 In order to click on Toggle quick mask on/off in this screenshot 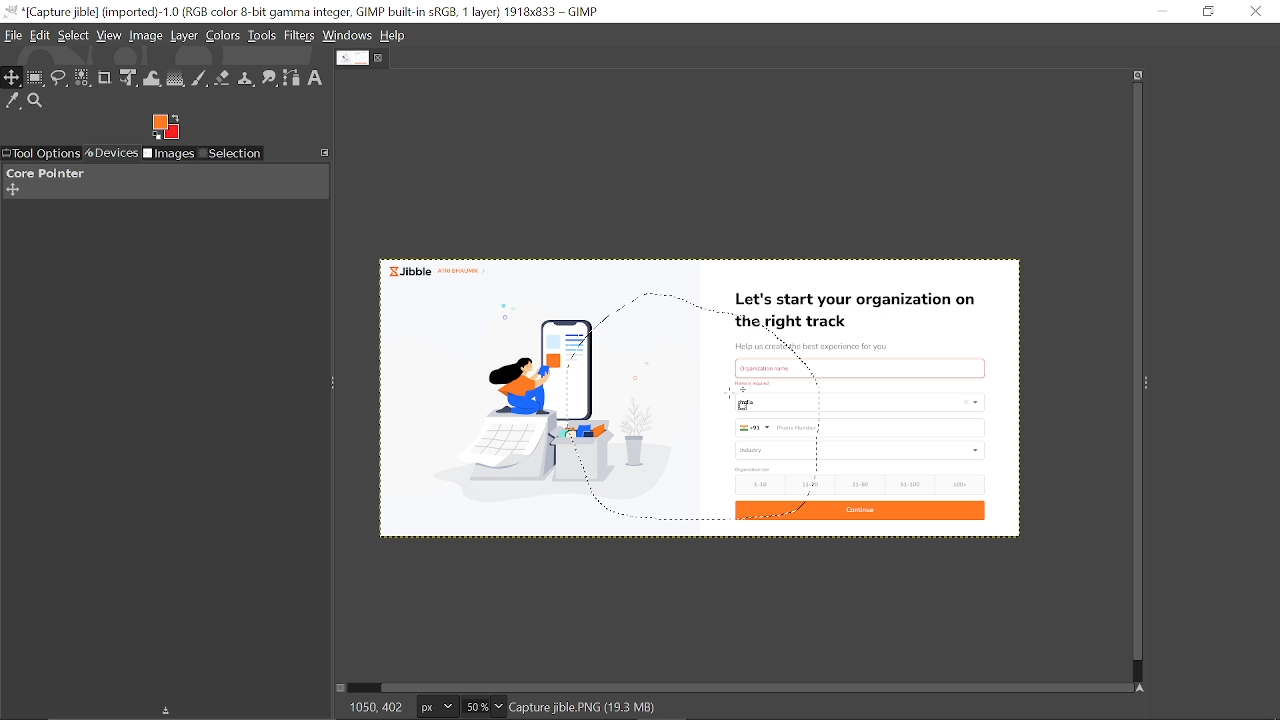, I will do `click(339, 688)`.